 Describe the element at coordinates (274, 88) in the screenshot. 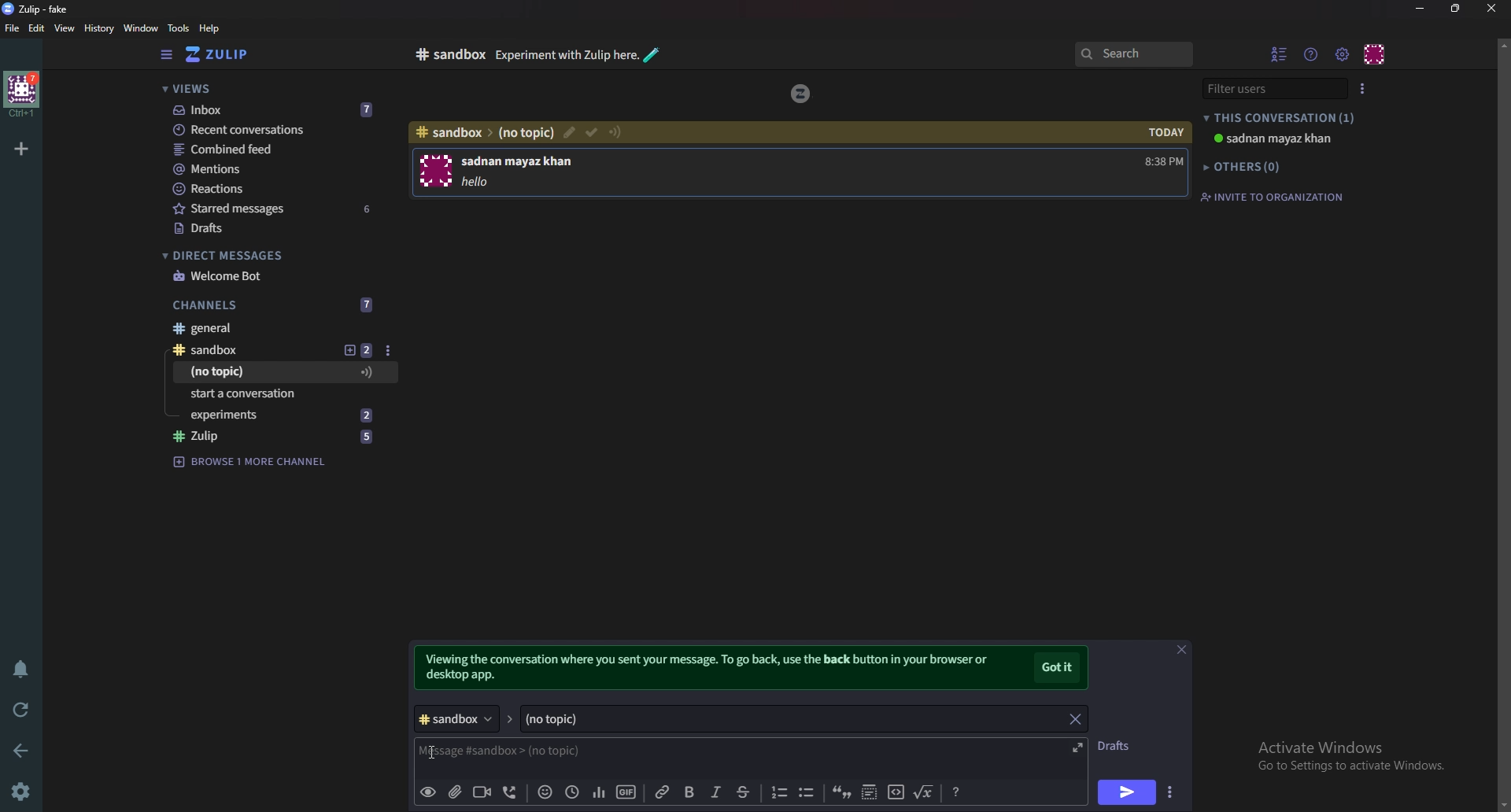

I see `views` at that location.